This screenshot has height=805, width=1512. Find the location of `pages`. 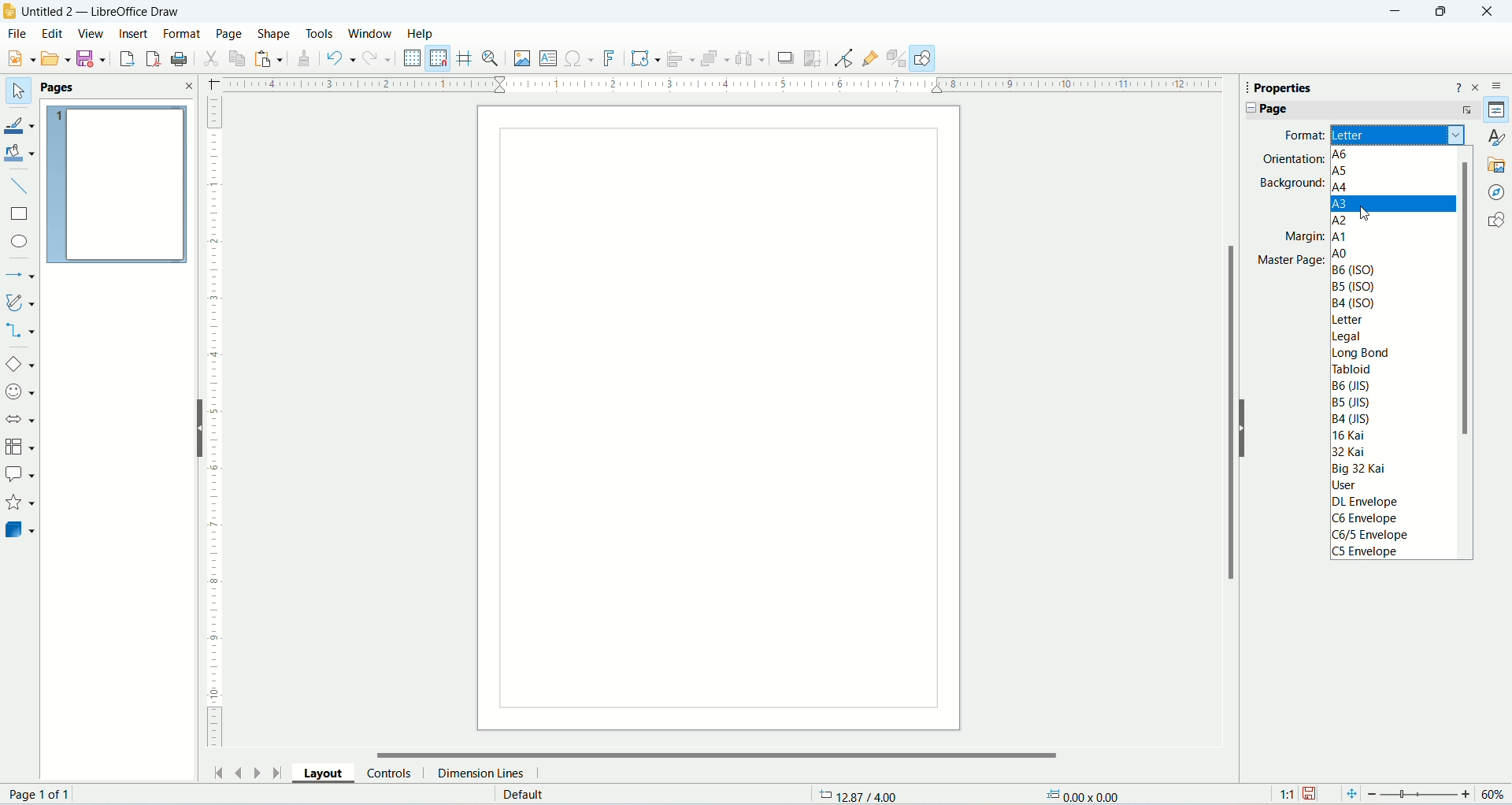

pages is located at coordinates (78, 87).